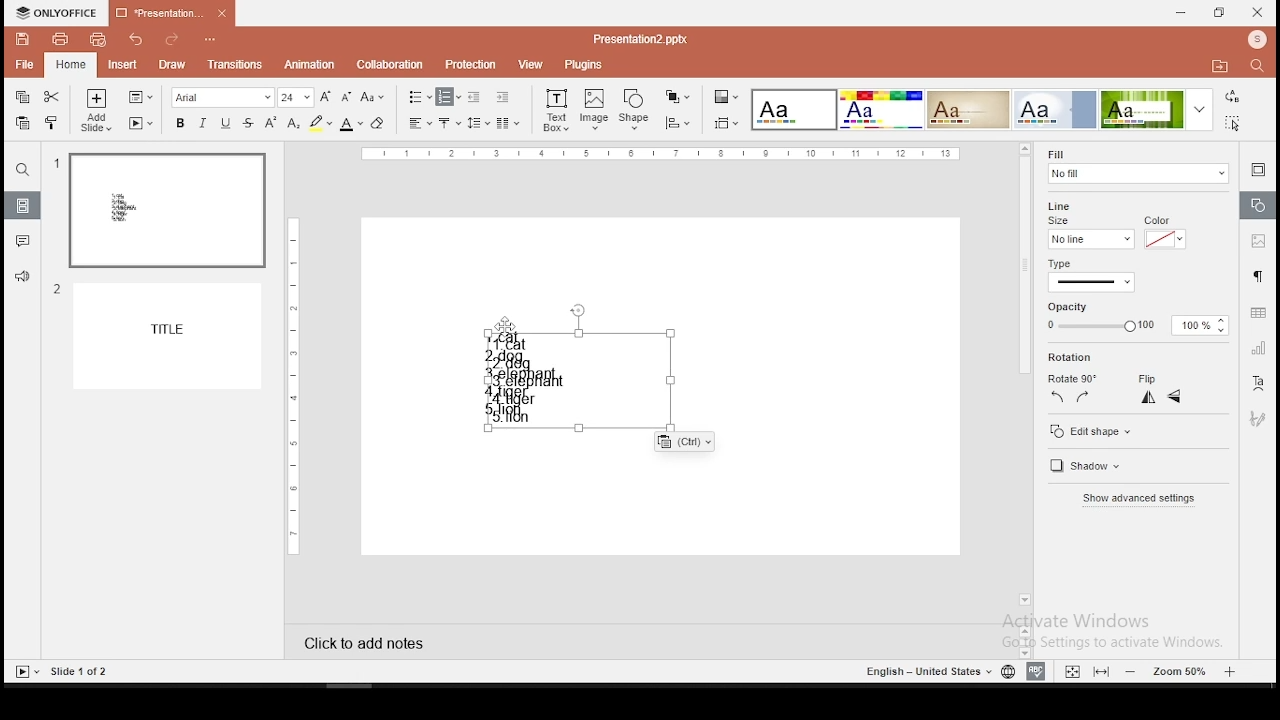 The height and width of the screenshot is (720, 1280). I want to click on line color, so click(1164, 233).